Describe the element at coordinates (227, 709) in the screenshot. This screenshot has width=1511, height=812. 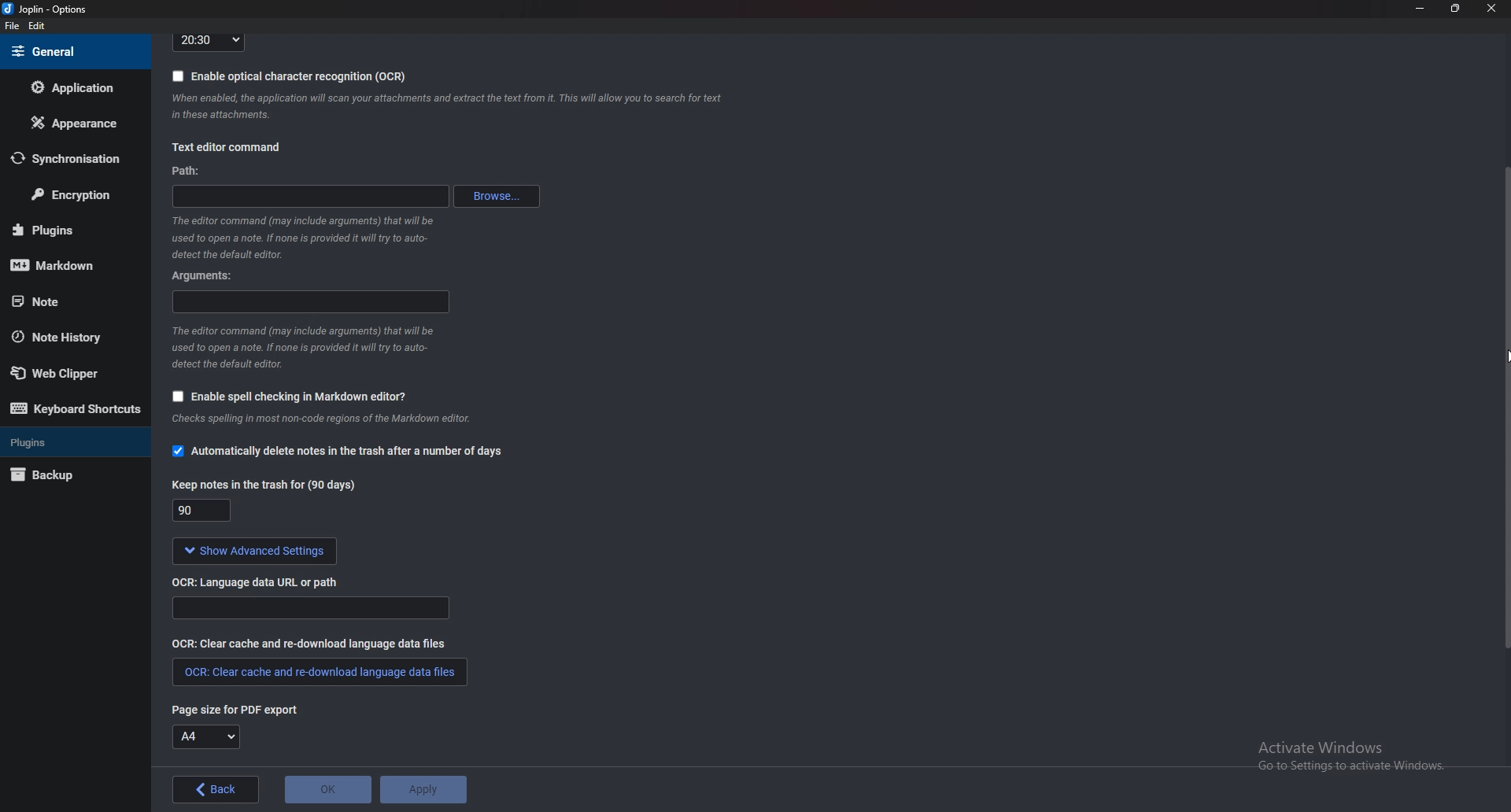
I see `Page size for P D F export` at that location.